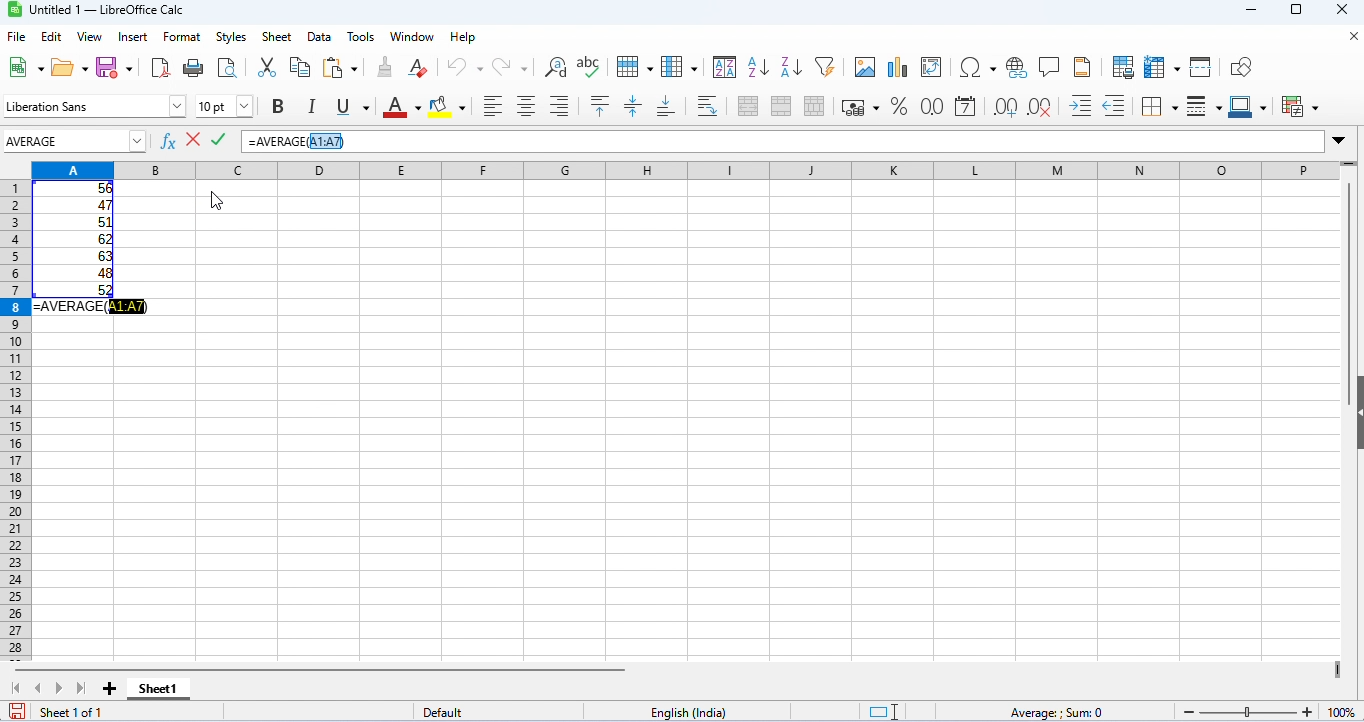  What do you see at coordinates (825, 65) in the screenshot?
I see `filter` at bounding box center [825, 65].